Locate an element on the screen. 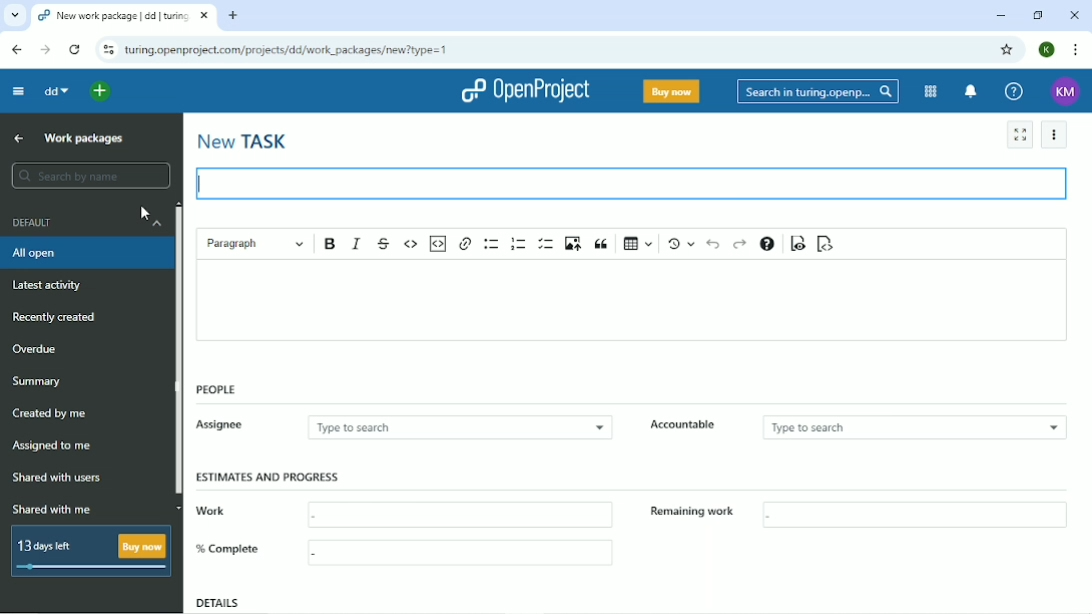  Accountable is located at coordinates (690, 428).